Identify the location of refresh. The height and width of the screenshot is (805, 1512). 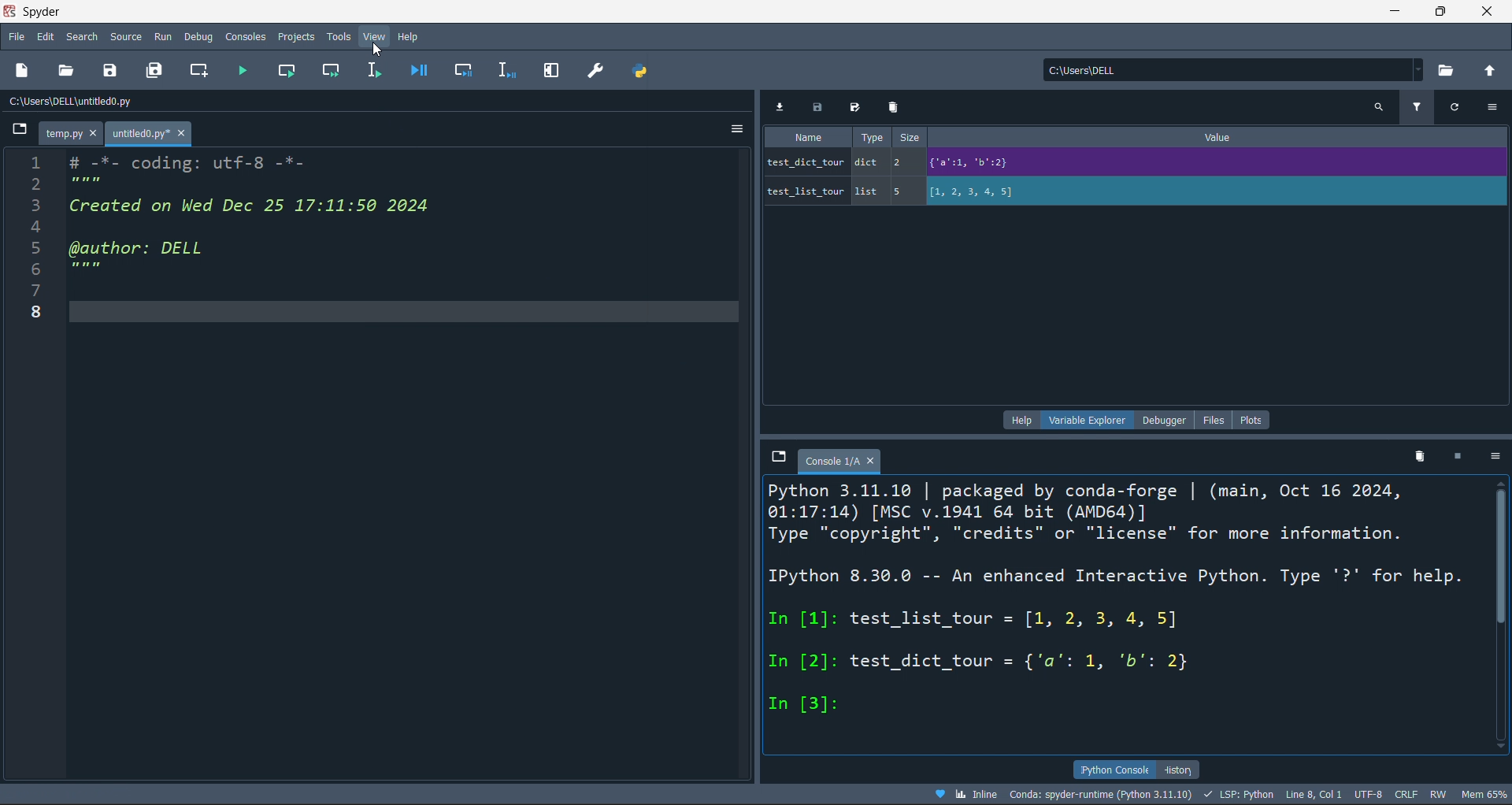
(1457, 108).